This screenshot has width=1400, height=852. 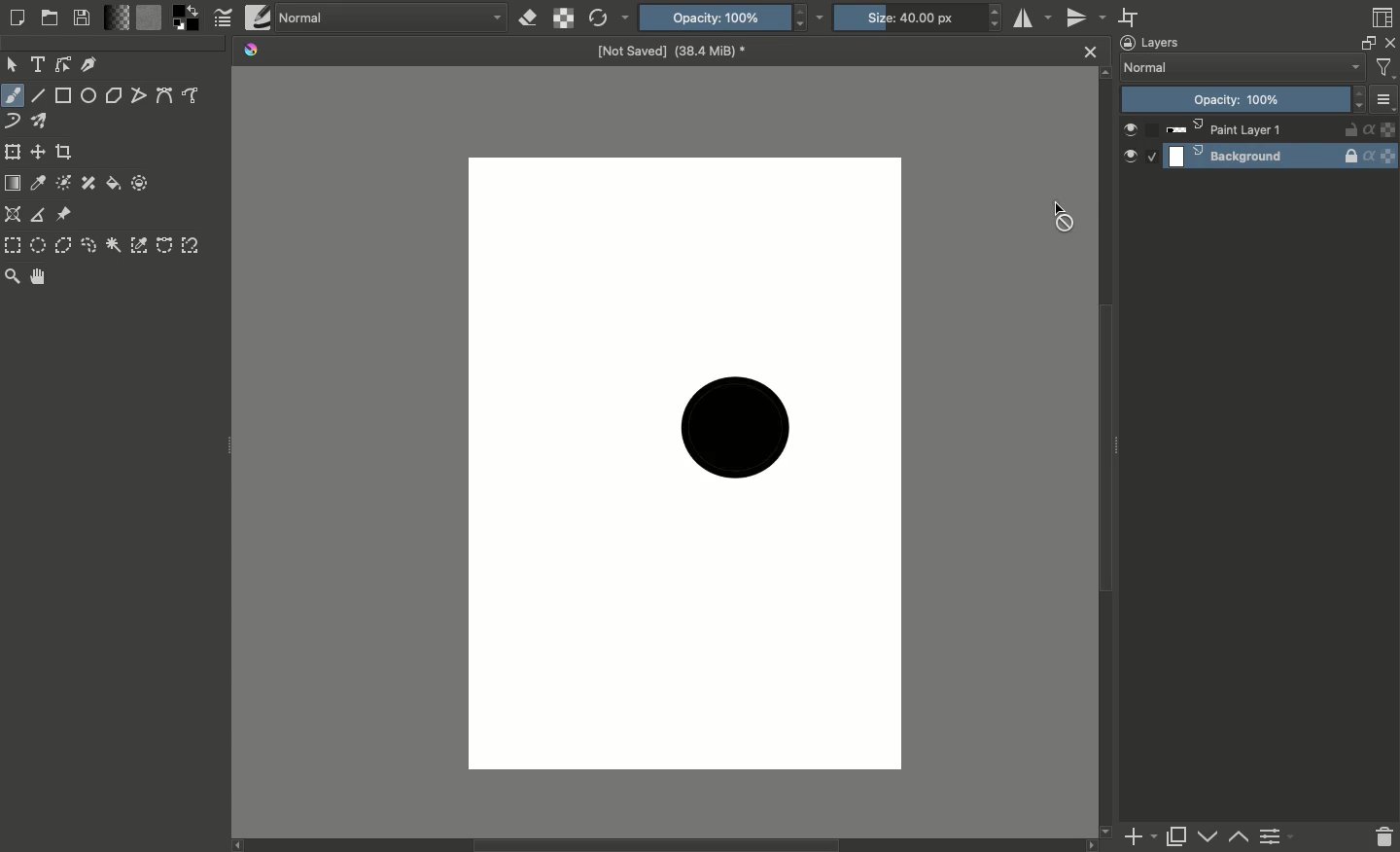 What do you see at coordinates (192, 243) in the screenshot?
I see `Magnetic curve selection tool` at bounding box center [192, 243].